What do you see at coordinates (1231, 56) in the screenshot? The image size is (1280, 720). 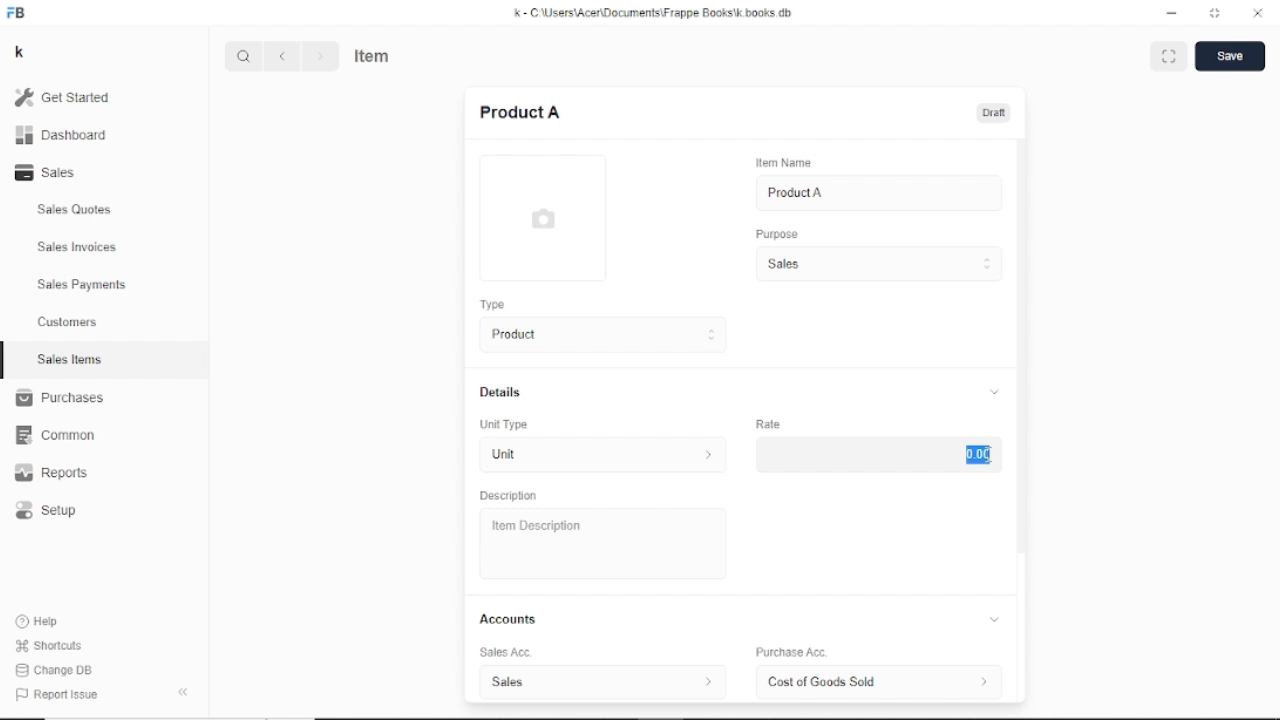 I see `Save` at bounding box center [1231, 56].